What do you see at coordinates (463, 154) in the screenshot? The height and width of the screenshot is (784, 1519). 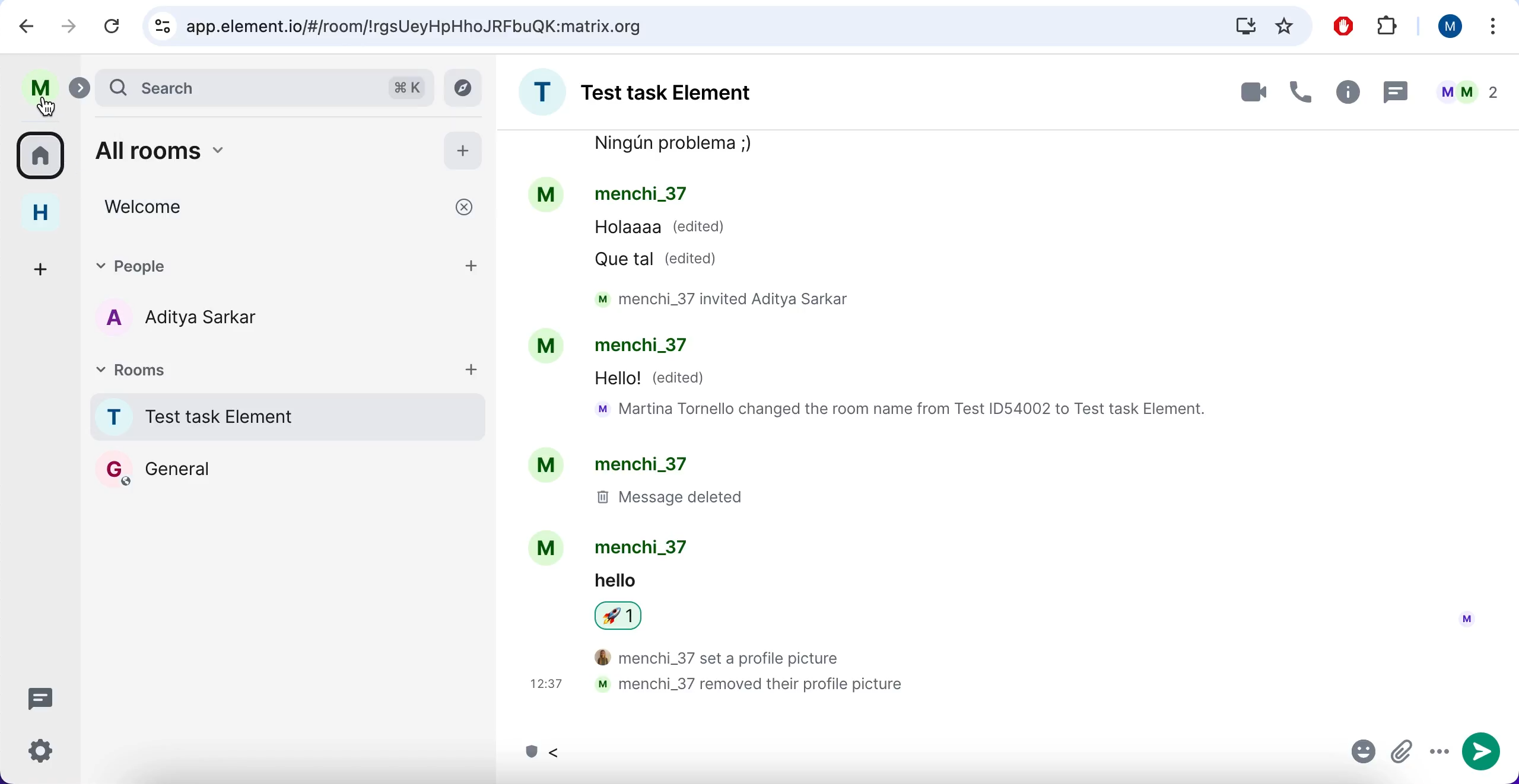 I see `add` at bounding box center [463, 154].